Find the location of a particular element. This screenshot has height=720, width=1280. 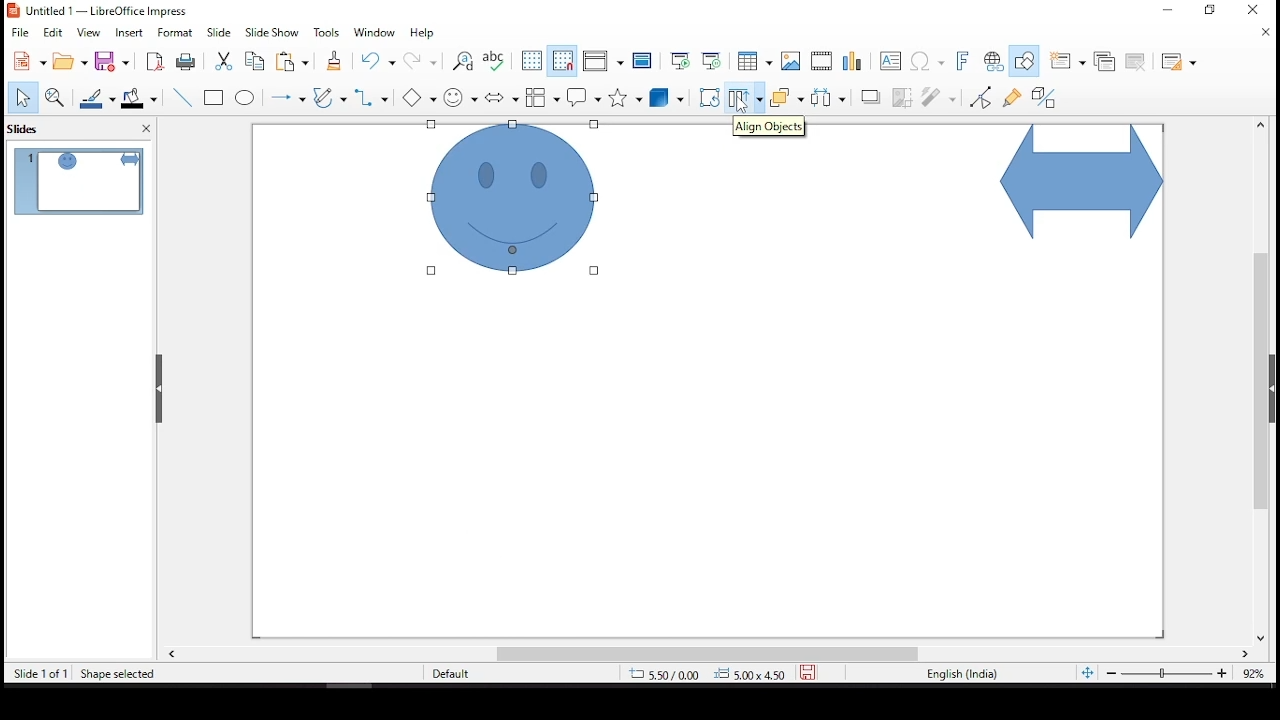

view is located at coordinates (90, 33).